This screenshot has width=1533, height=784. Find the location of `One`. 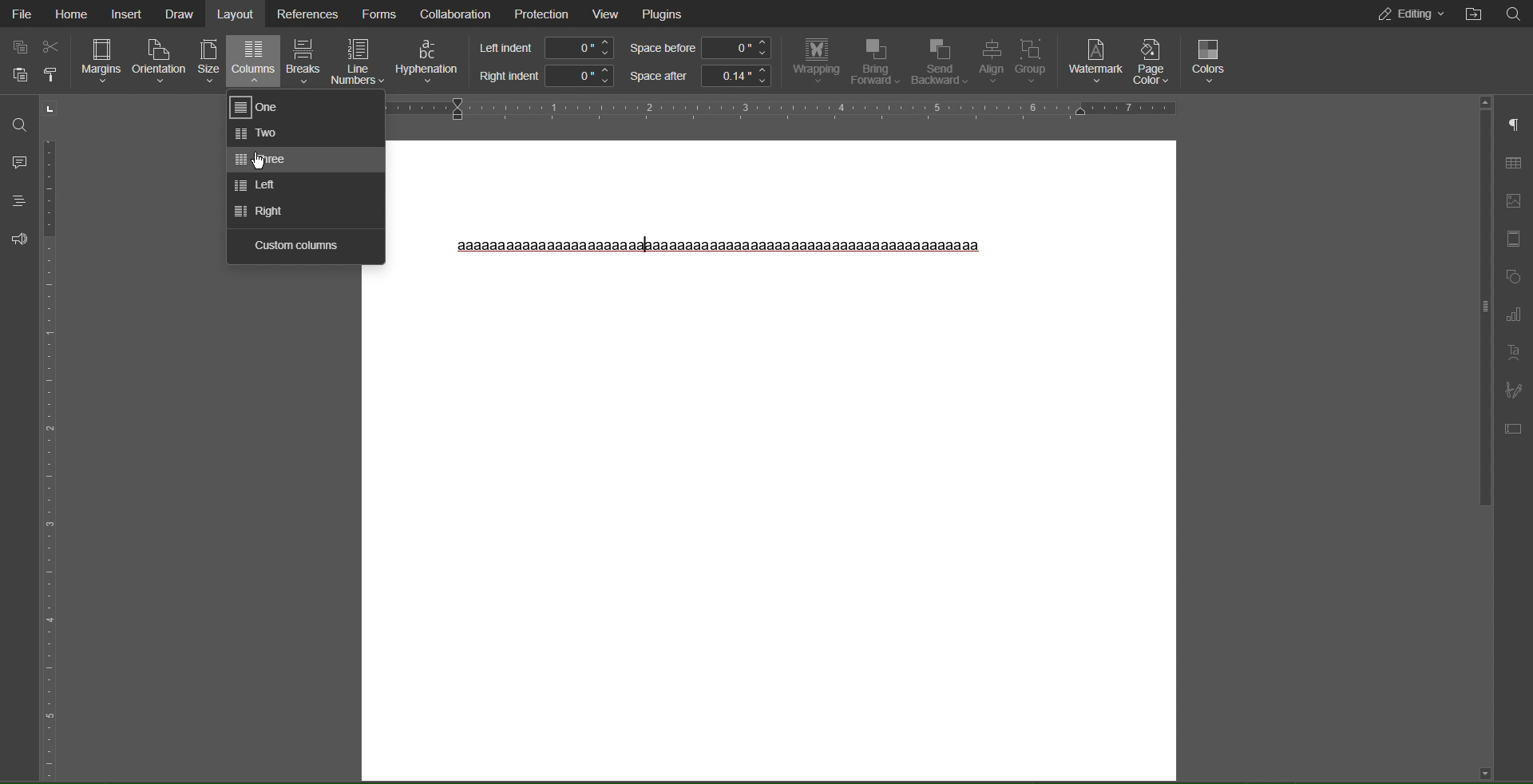

One is located at coordinates (261, 108).